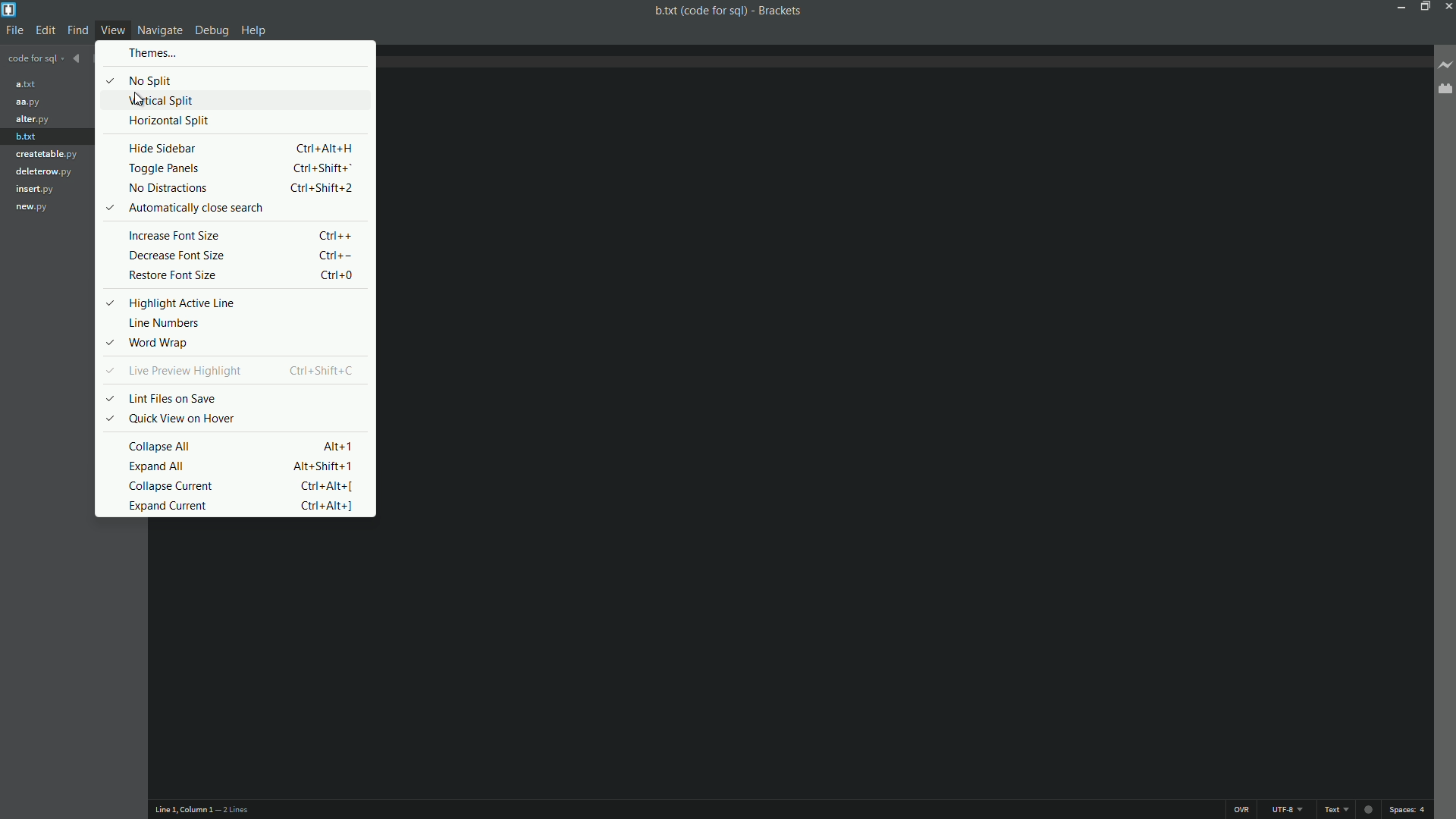 The height and width of the screenshot is (819, 1456). Describe the element at coordinates (14, 31) in the screenshot. I see `file menu` at that location.